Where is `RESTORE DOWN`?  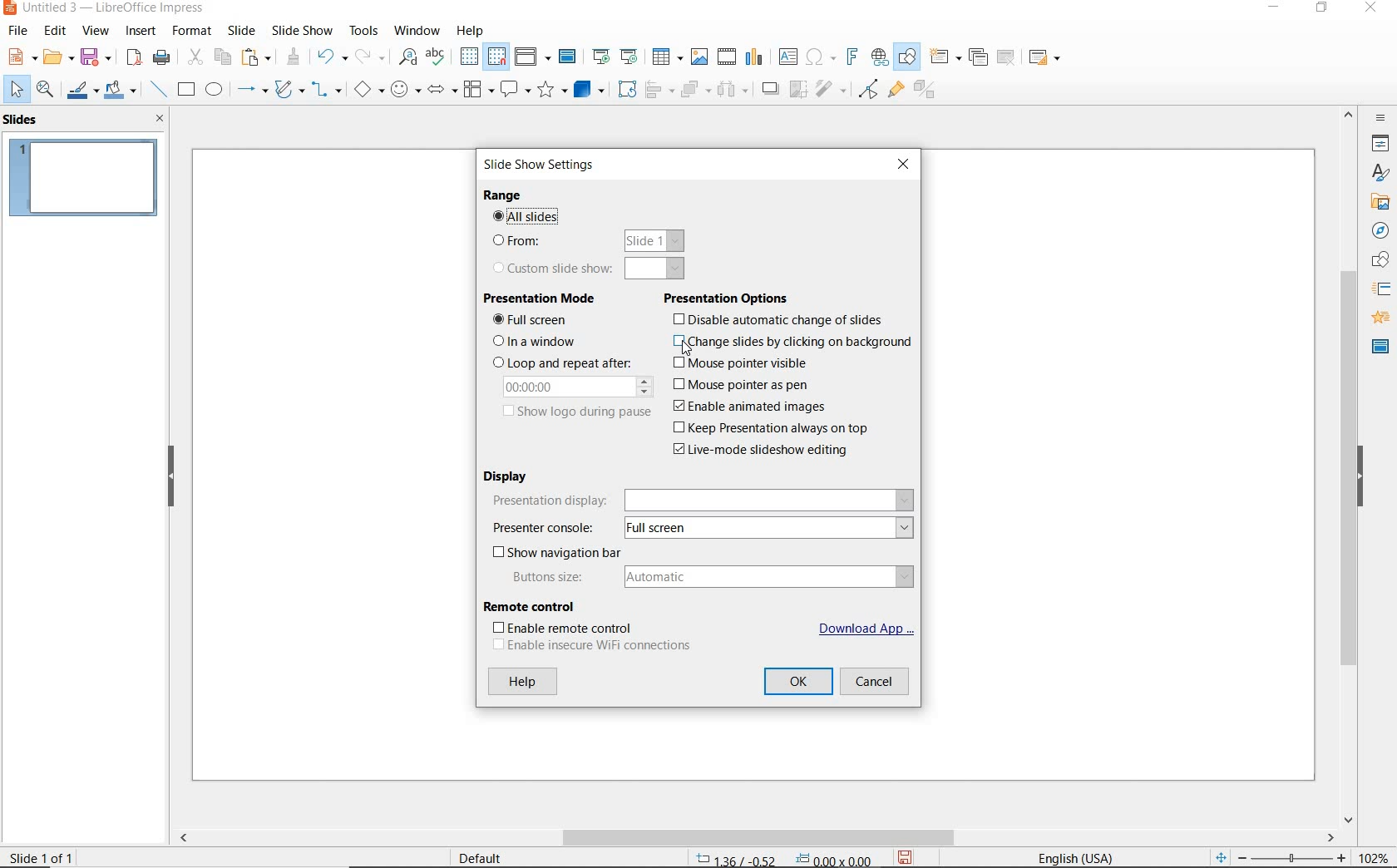 RESTORE DOWN is located at coordinates (1323, 8).